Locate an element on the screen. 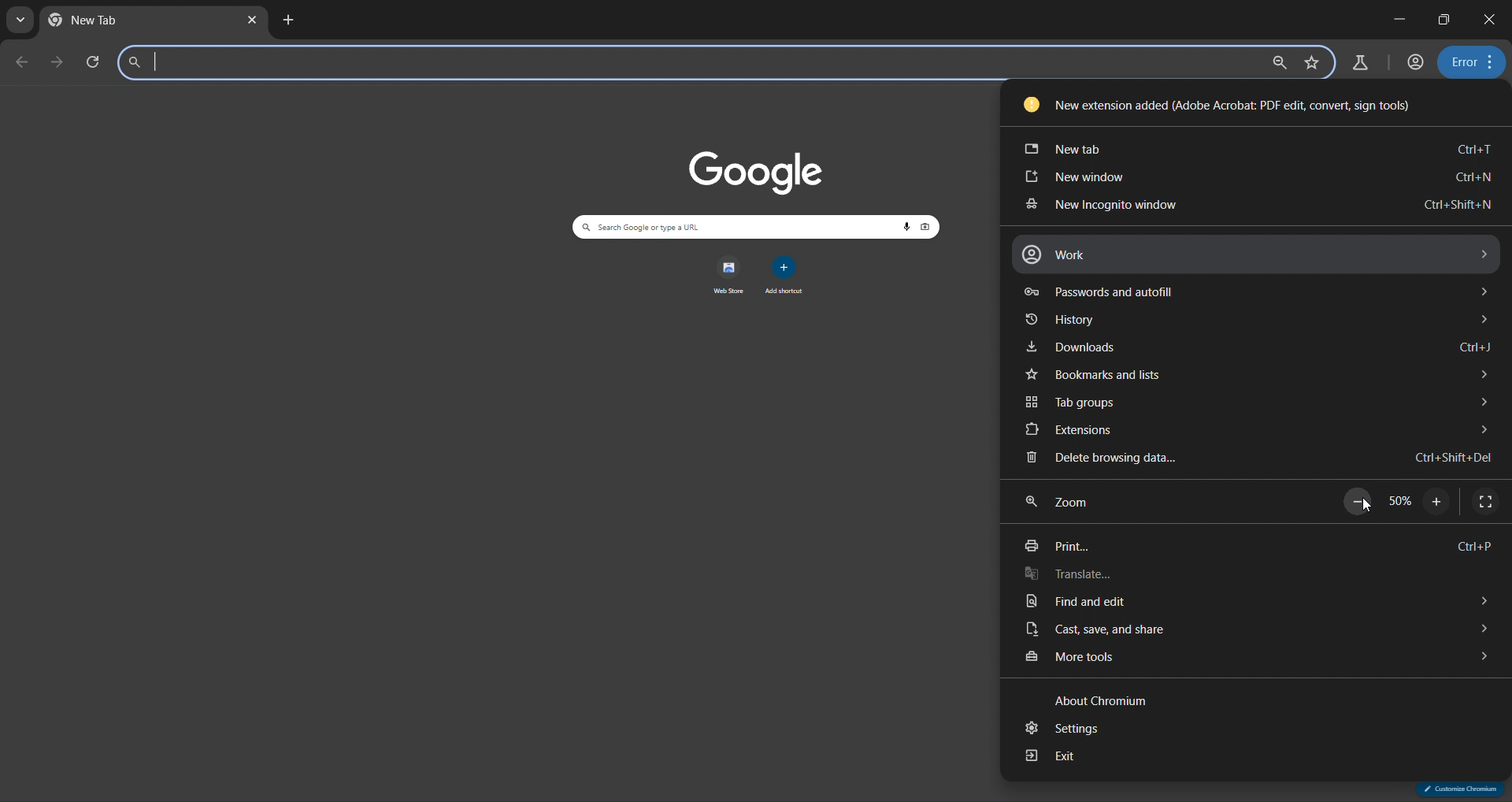 The width and height of the screenshot is (1512, 802). zoom out is located at coordinates (1360, 500).